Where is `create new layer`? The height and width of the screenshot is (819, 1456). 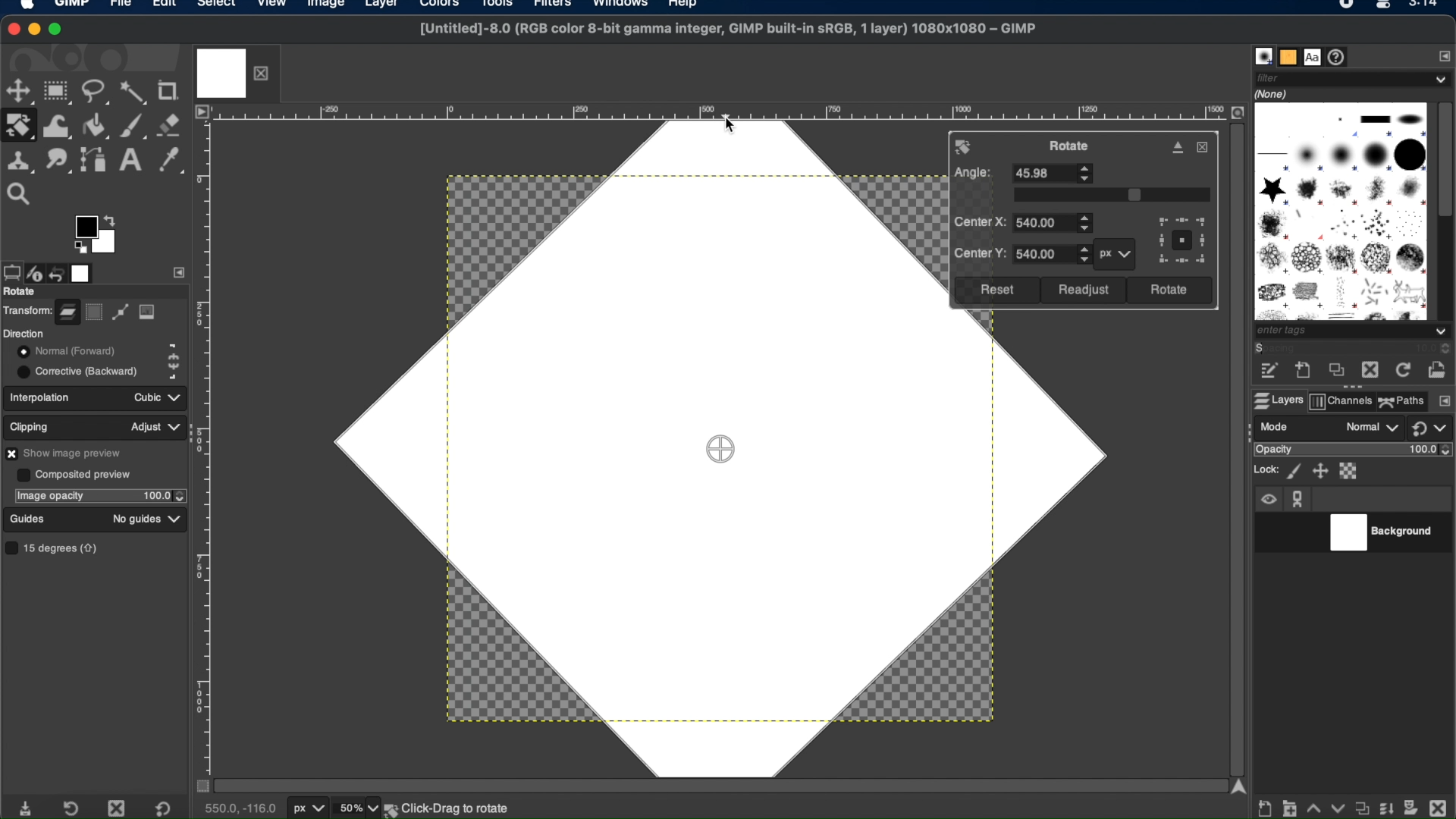 create new layer is located at coordinates (1266, 809).